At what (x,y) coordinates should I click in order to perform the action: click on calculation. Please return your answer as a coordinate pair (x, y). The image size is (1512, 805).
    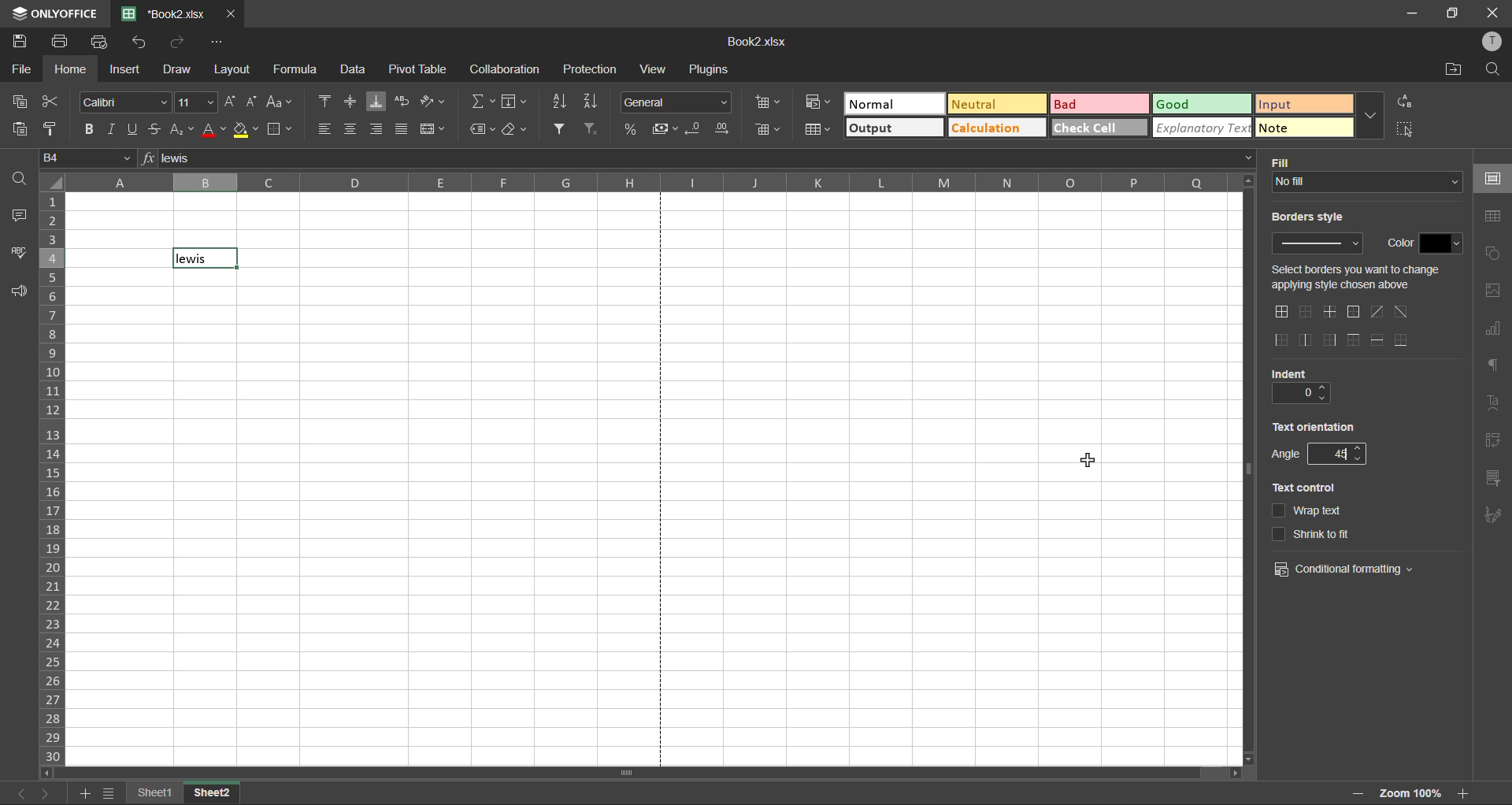
    Looking at the image, I should click on (994, 128).